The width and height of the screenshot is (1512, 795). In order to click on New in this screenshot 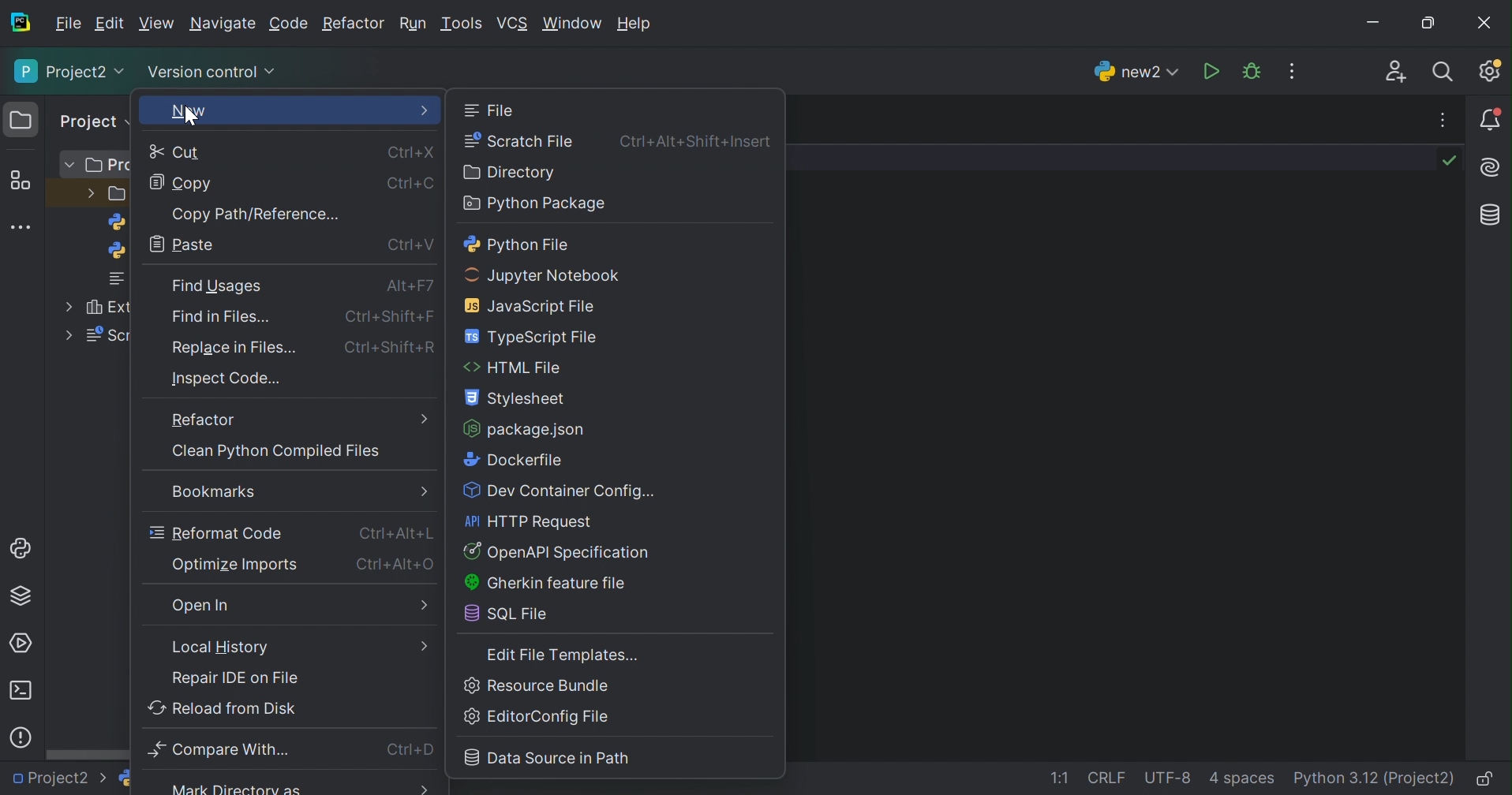, I will do `click(186, 113)`.